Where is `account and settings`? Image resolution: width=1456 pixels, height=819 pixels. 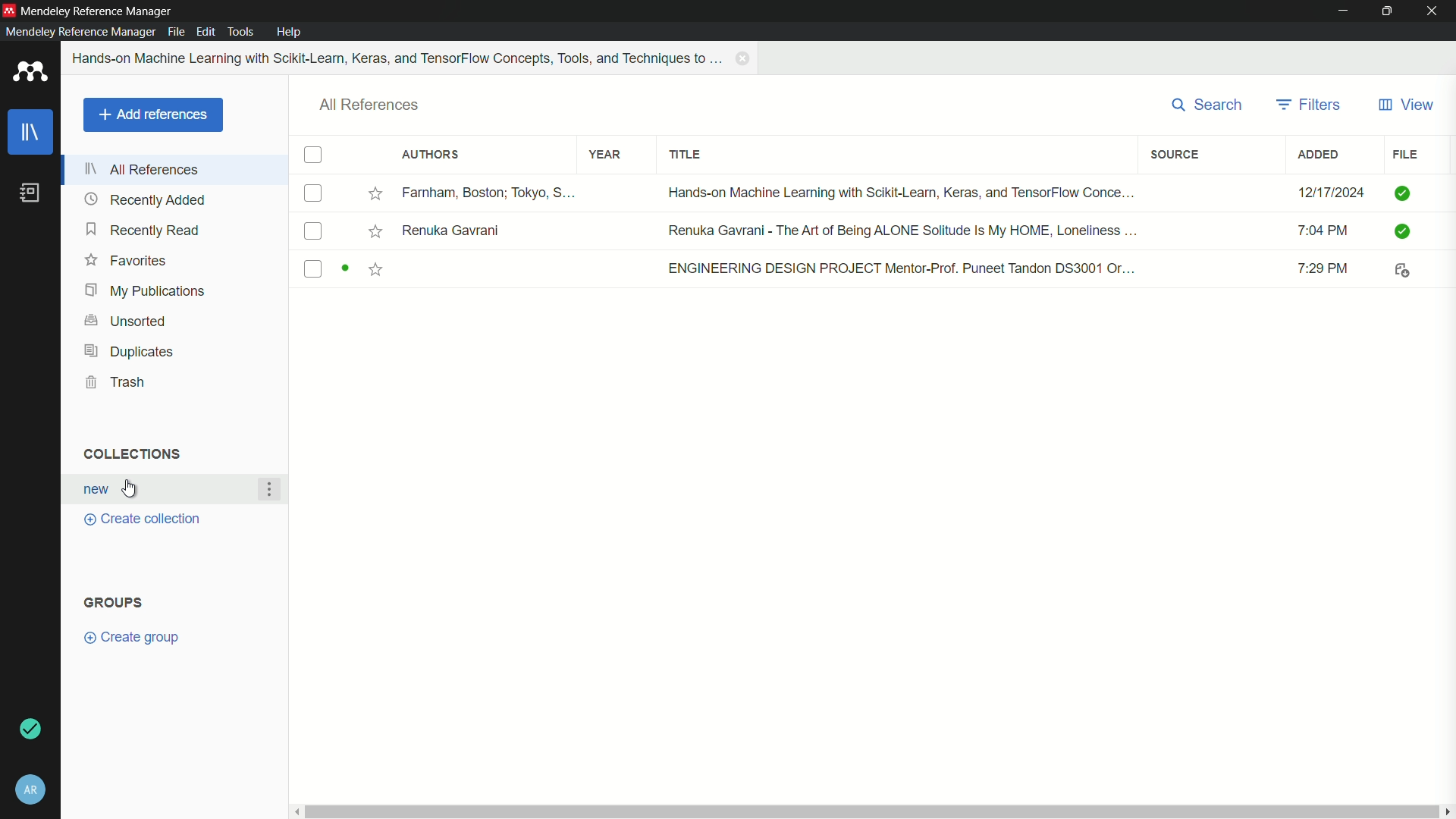 account and settings is located at coordinates (30, 790).